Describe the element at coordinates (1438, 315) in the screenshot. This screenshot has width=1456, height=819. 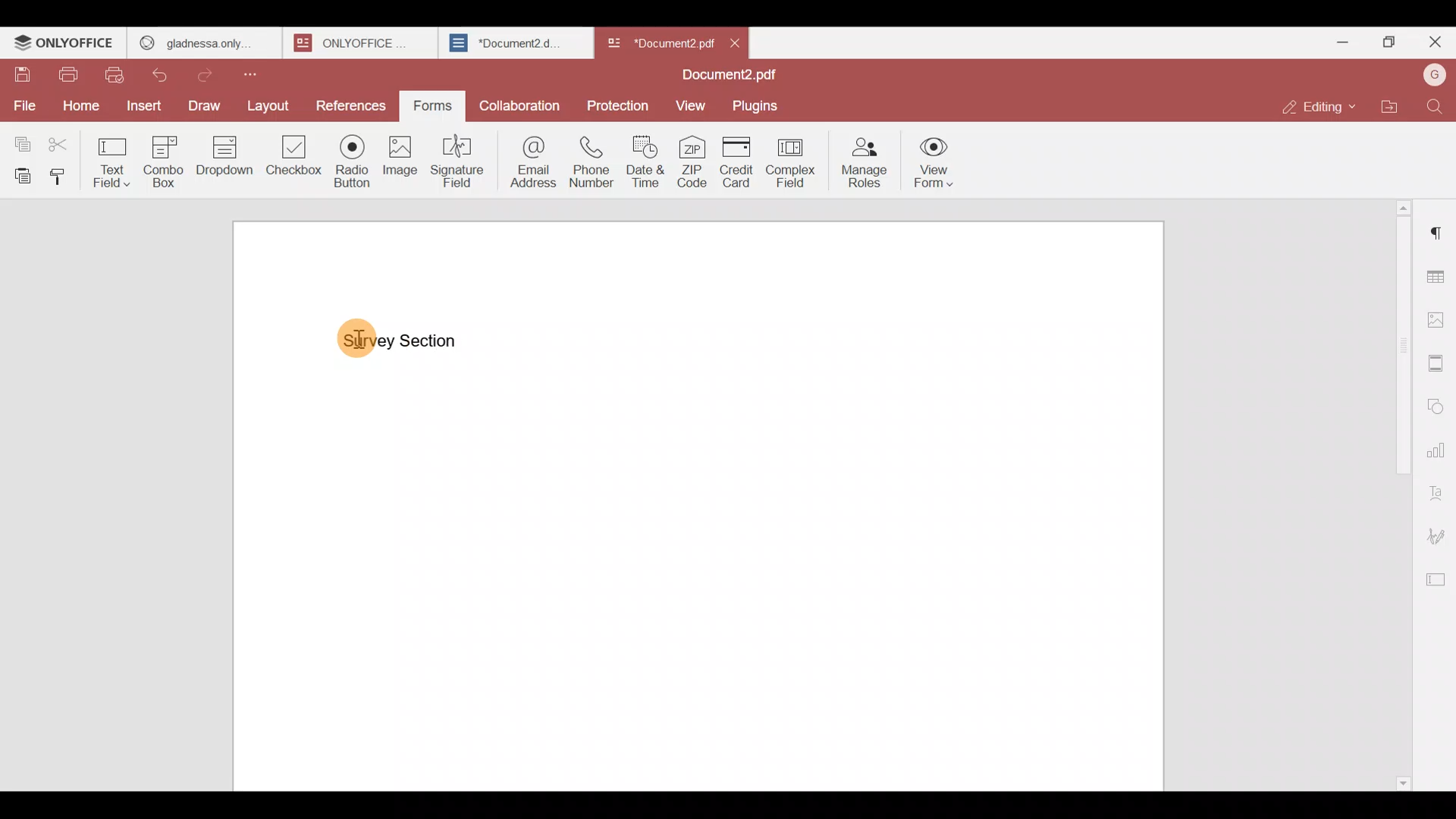
I see `Image settings` at that location.